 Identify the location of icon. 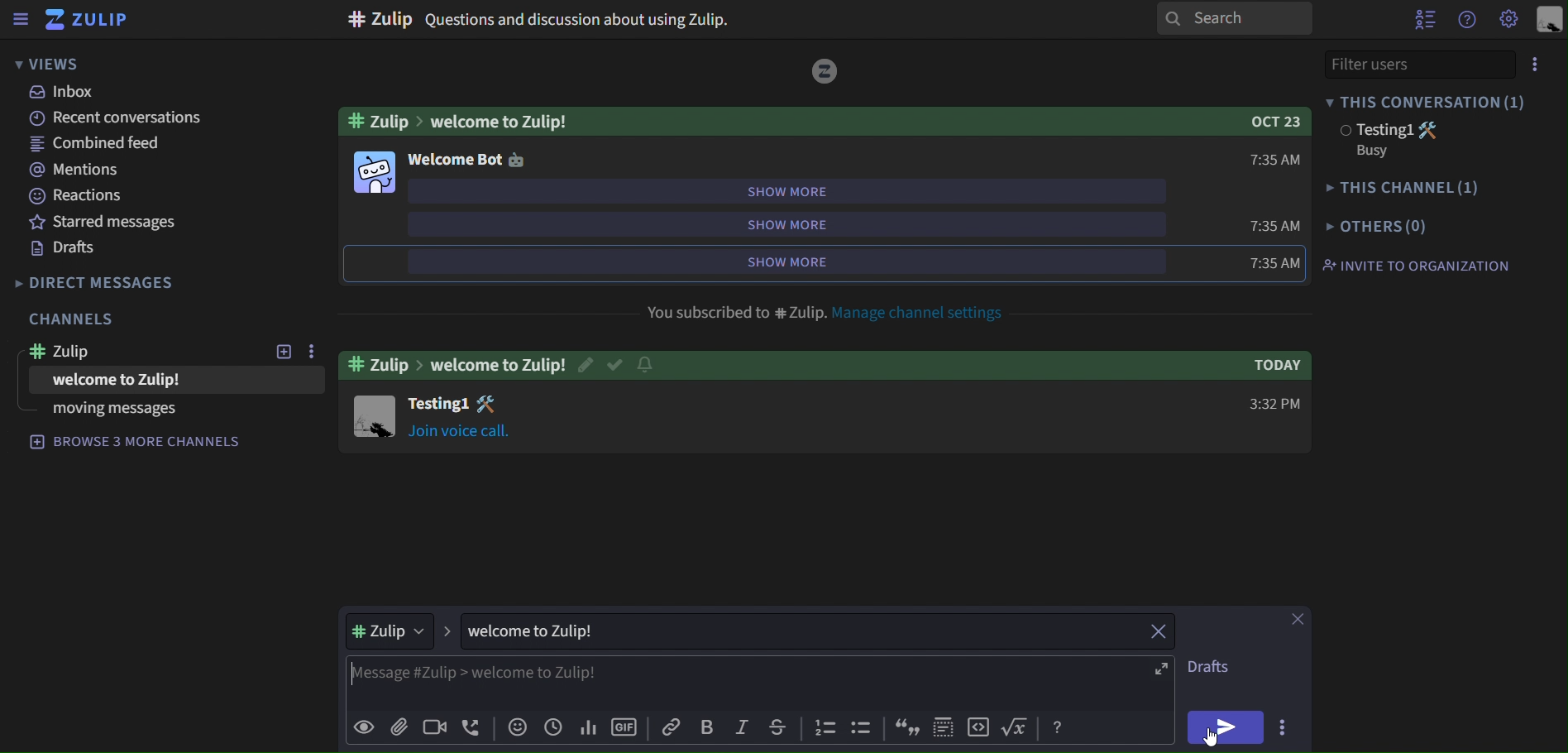
(860, 728).